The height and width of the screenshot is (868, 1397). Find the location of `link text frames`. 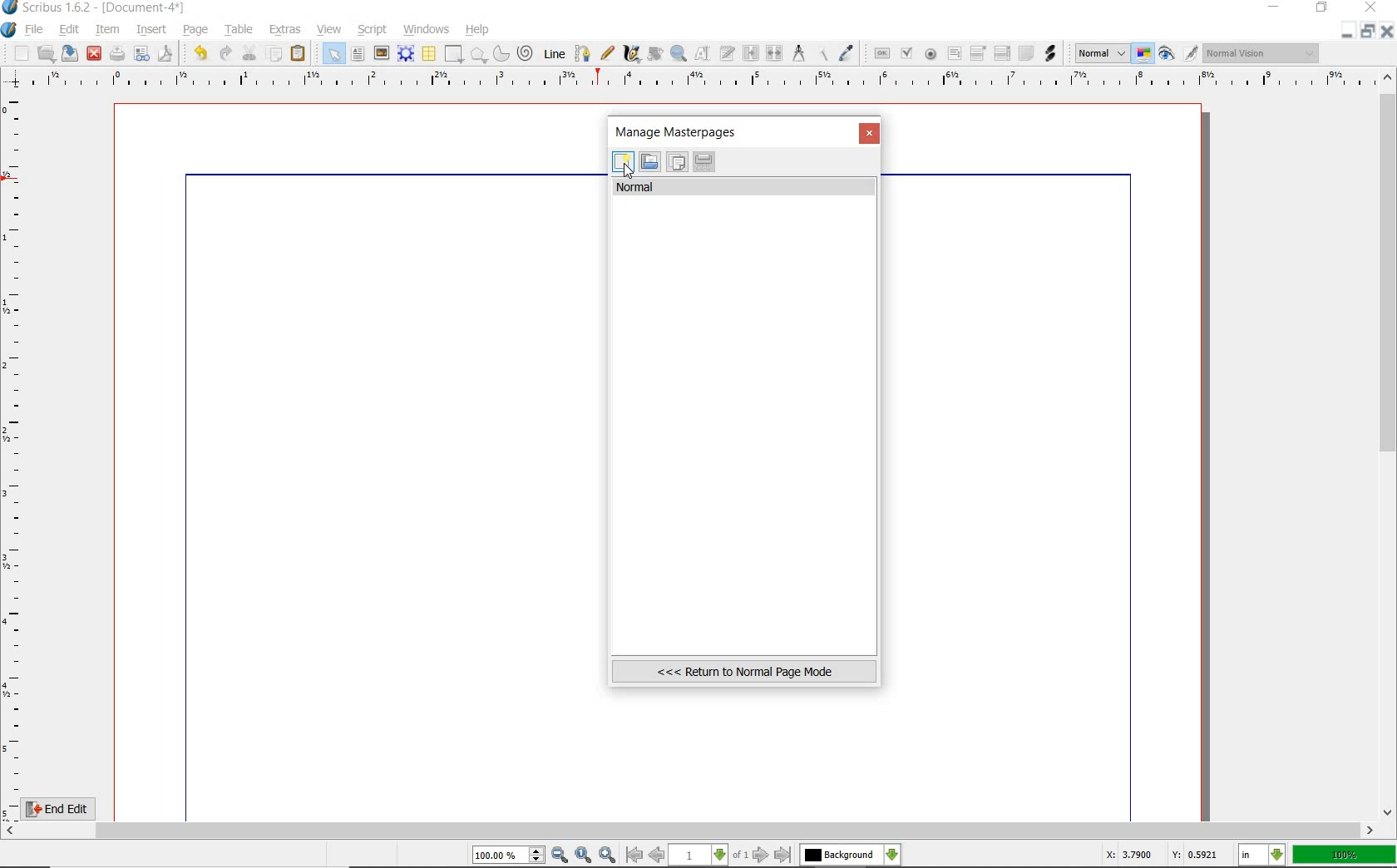

link text frames is located at coordinates (749, 52).